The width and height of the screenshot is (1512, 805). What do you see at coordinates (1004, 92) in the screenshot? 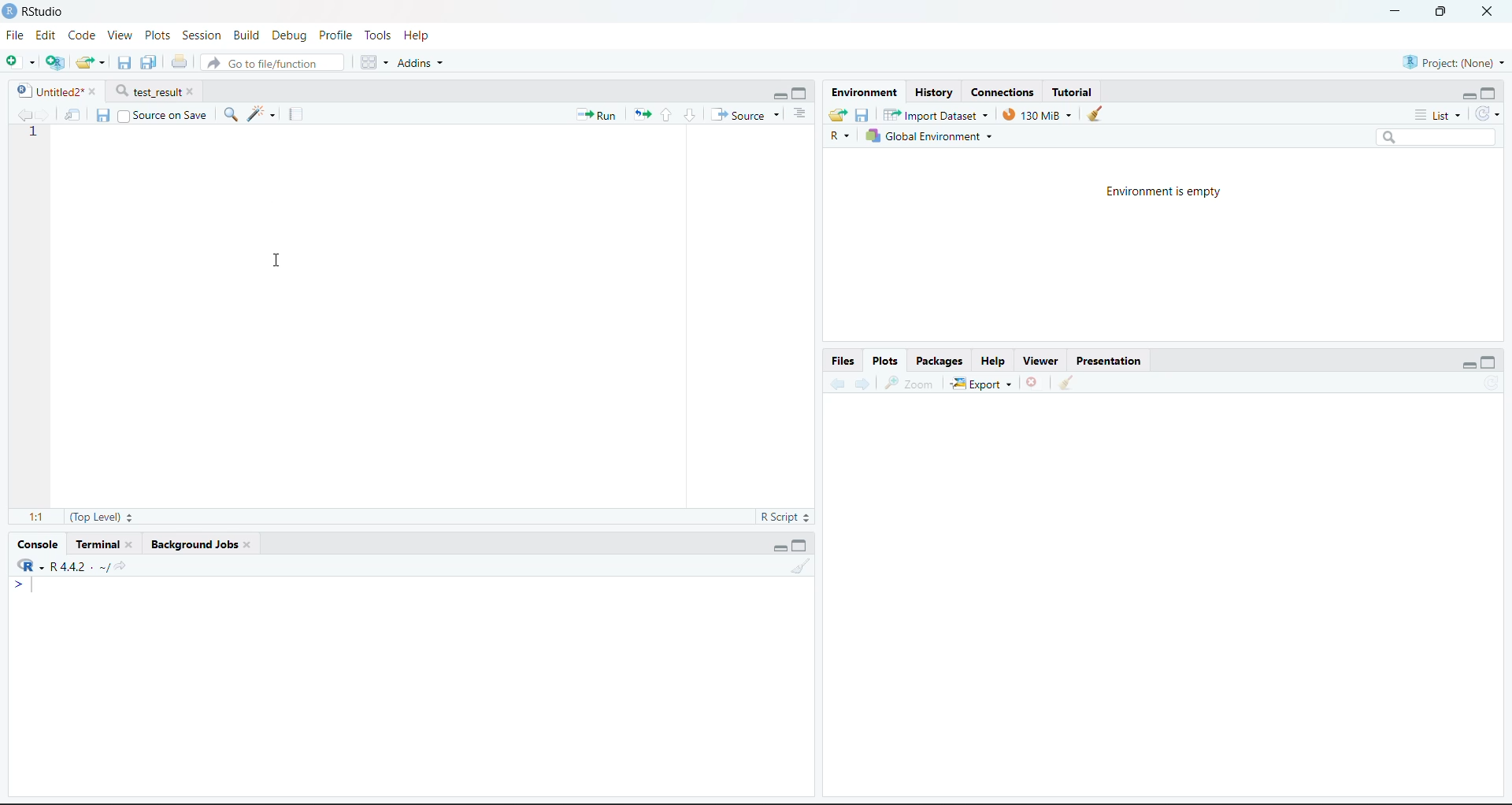
I see `Connections` at bounding box center [1004, 92].